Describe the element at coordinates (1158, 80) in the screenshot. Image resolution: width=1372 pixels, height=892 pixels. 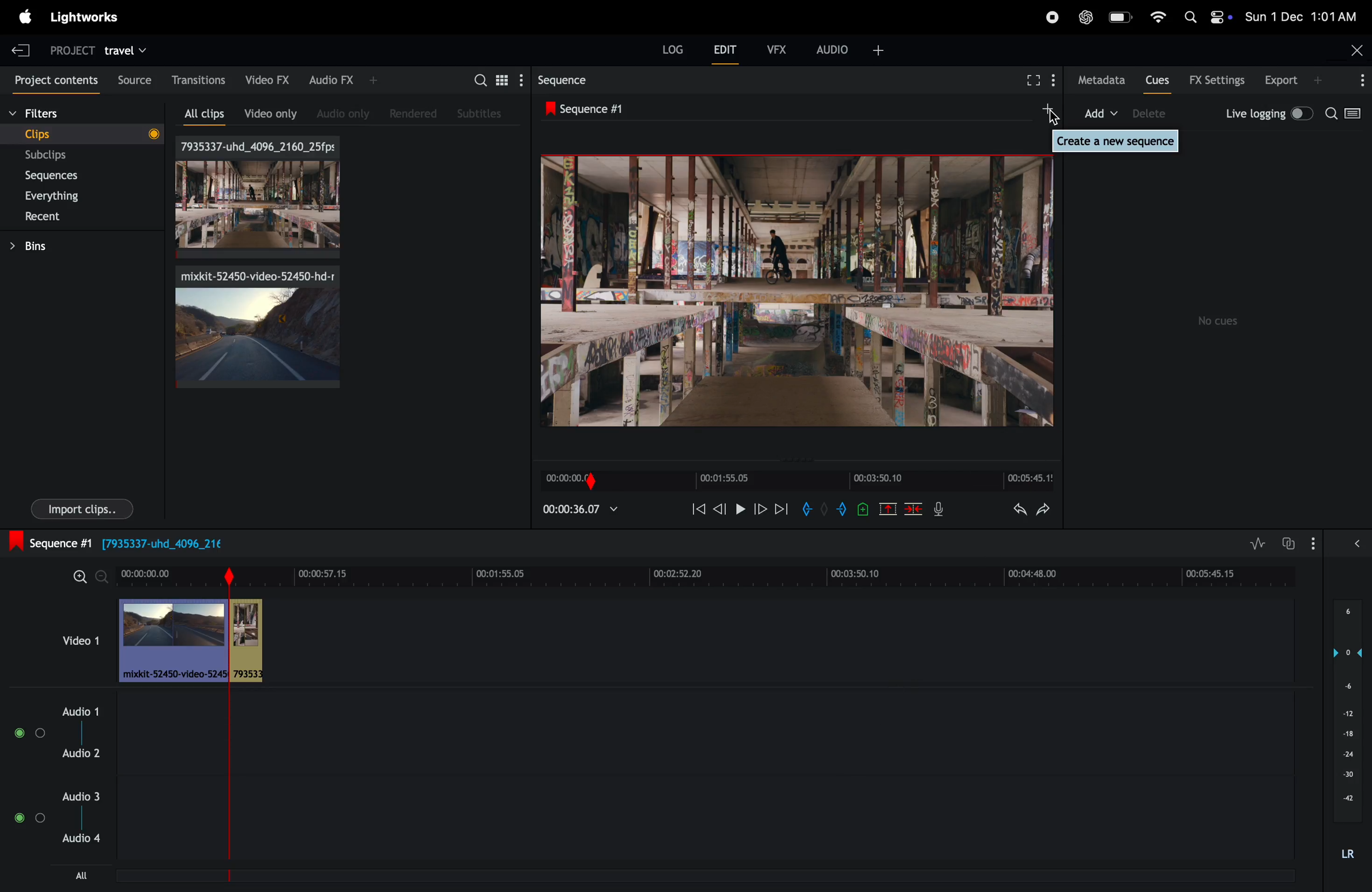
I see `cues` at that location.